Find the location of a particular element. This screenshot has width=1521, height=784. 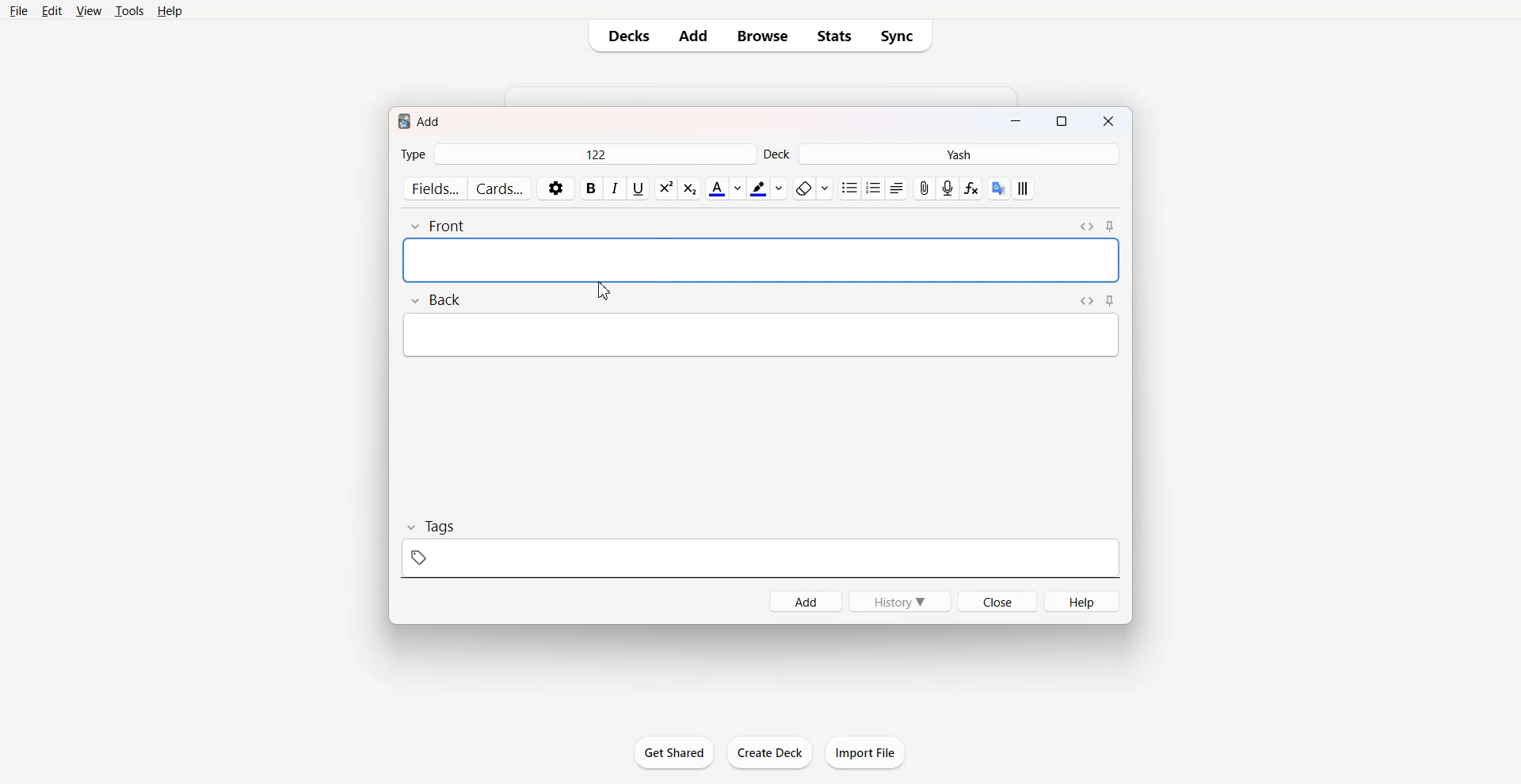

Bold is located at coordinates (591, 188).